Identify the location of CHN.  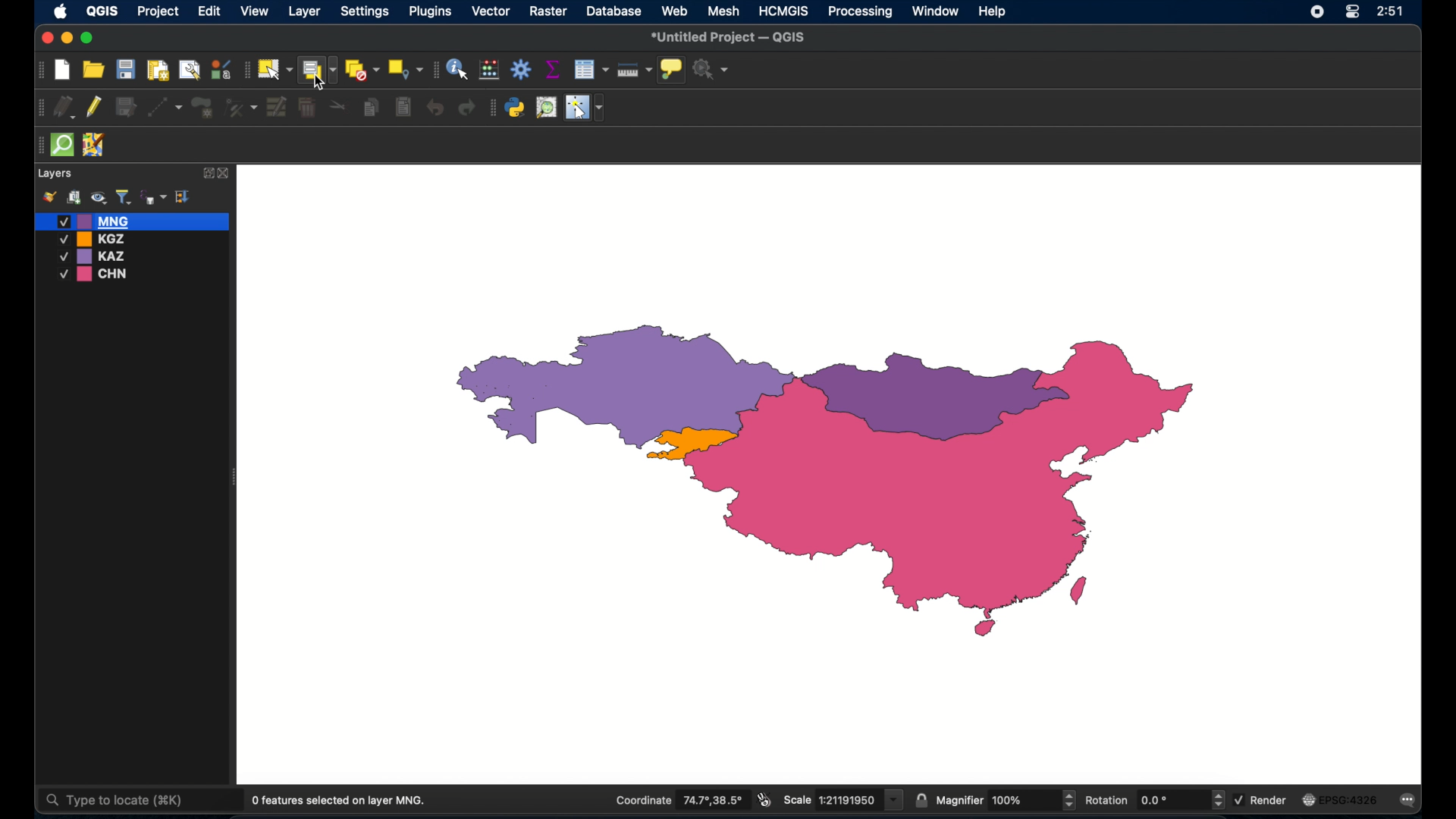
(96, 275).